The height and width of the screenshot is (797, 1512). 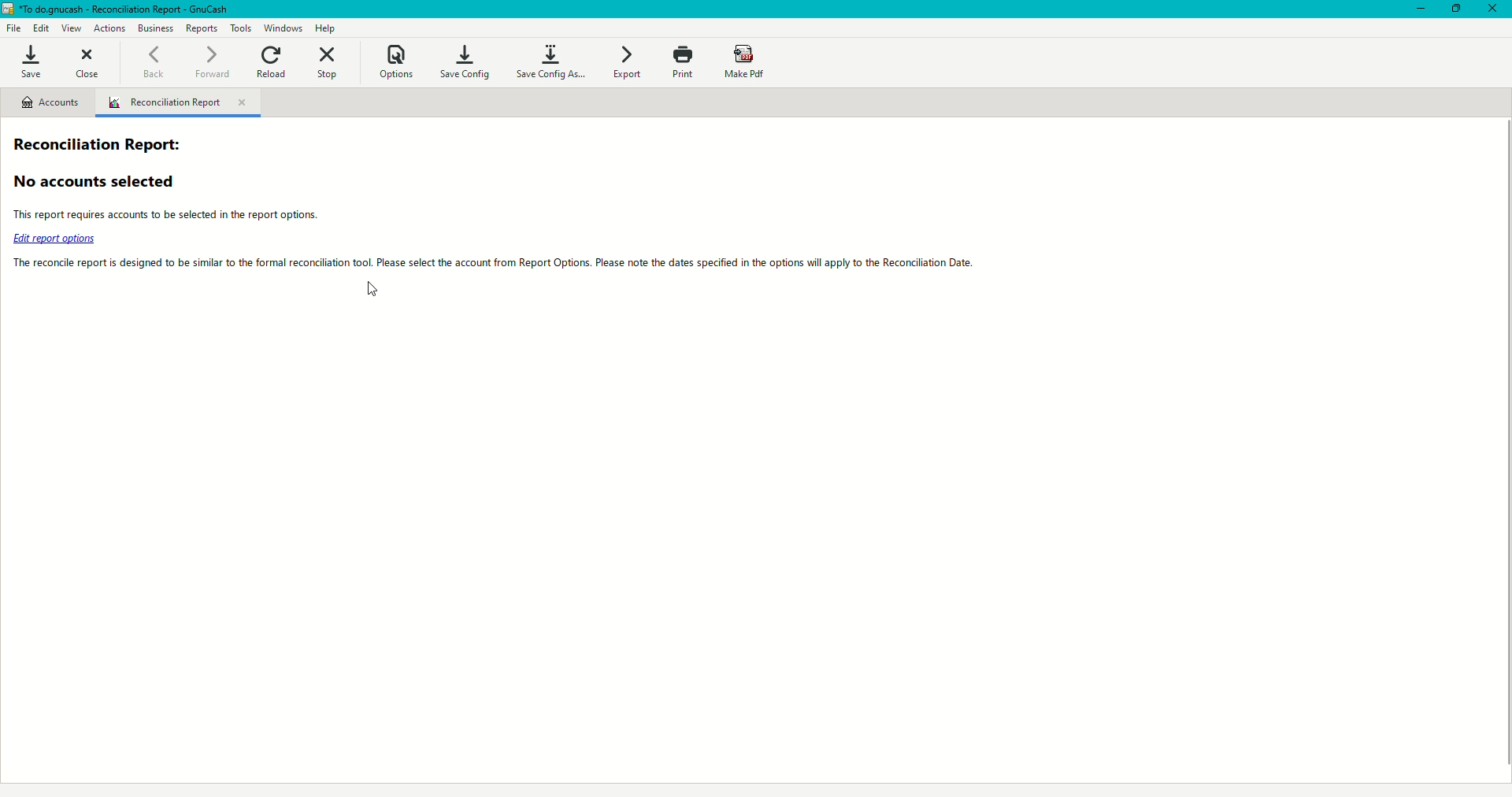 I want to click on This report requires accounts to be selected in the report options, so click(x=213, y=214).